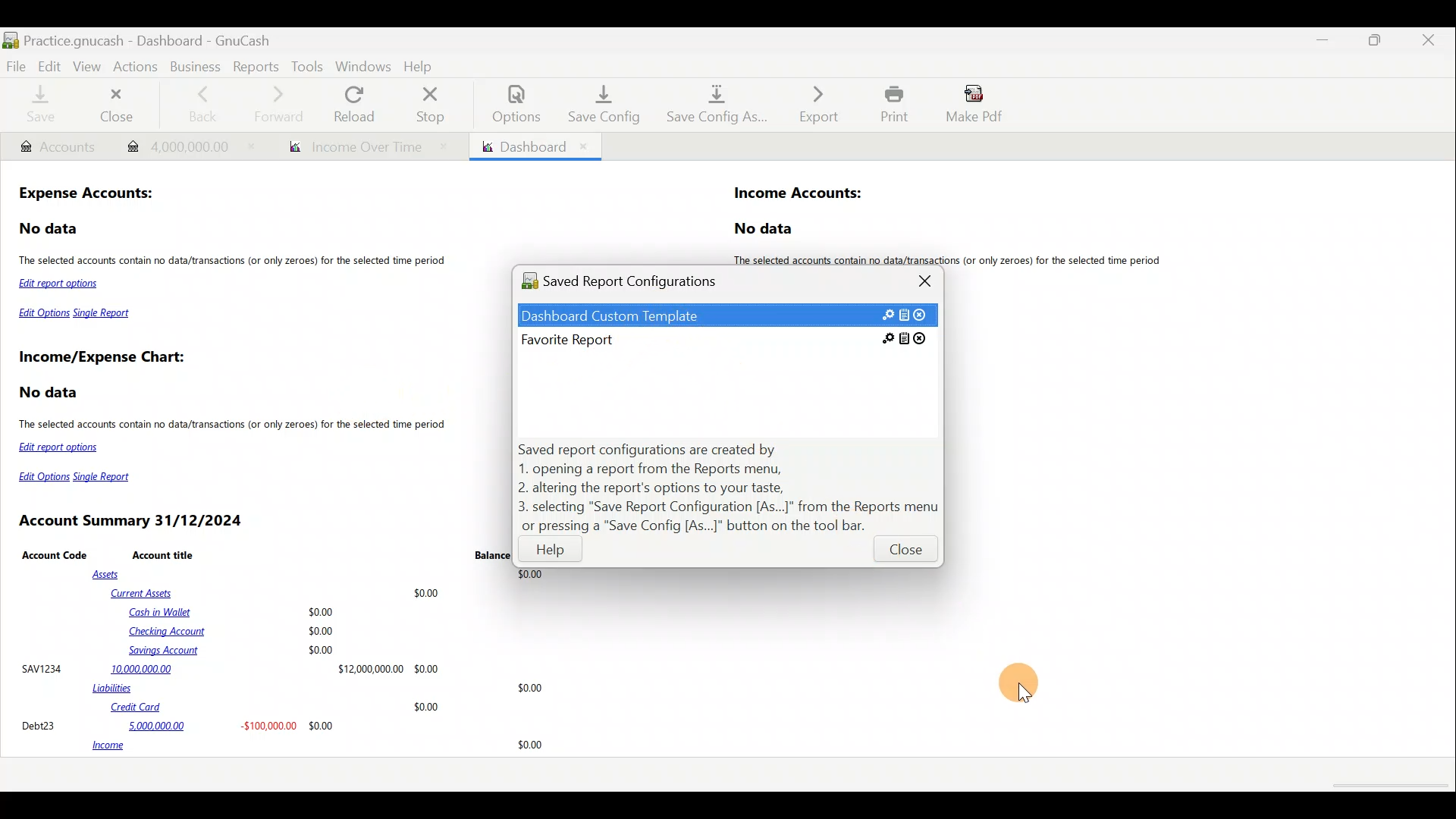  I want to click on Tools, so click(307, 66).